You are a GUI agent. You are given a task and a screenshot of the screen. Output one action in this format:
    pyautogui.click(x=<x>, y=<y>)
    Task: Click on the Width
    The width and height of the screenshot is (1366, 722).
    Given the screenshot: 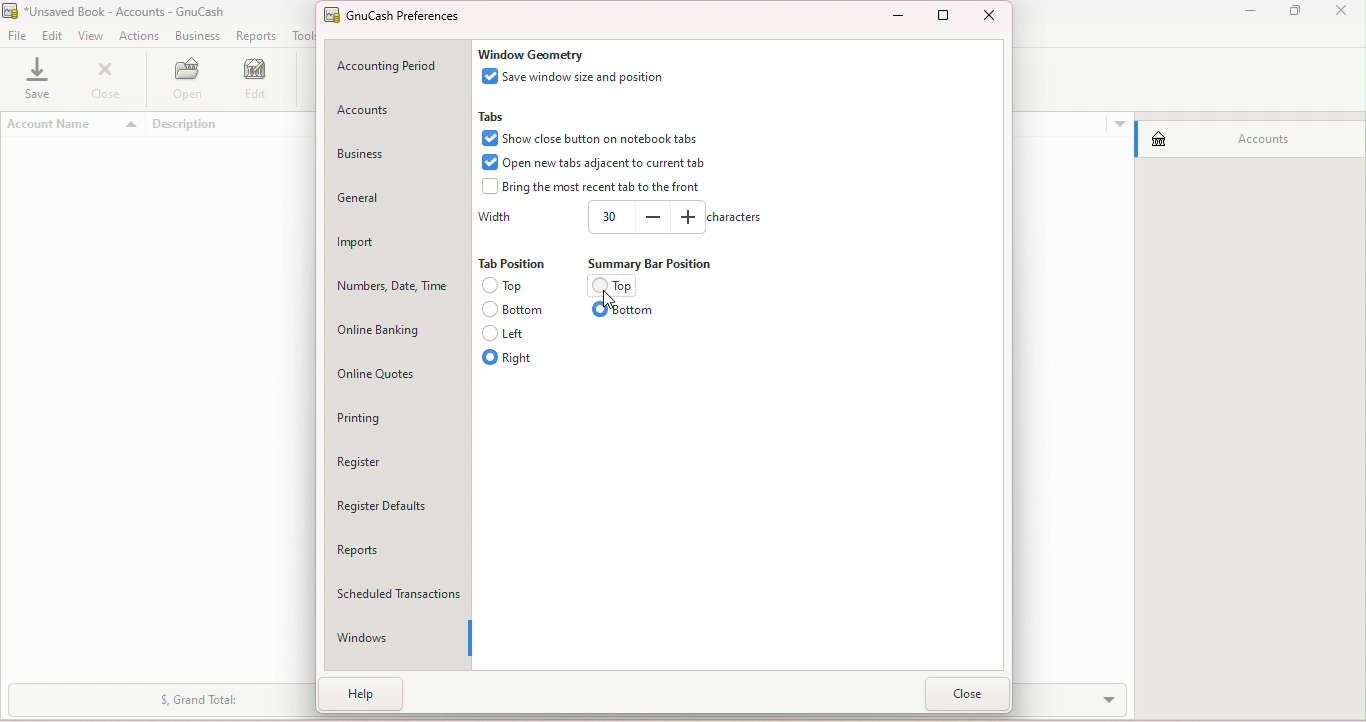 What is the action you would take?
    pyautogui.click(x=493, y=218)
    